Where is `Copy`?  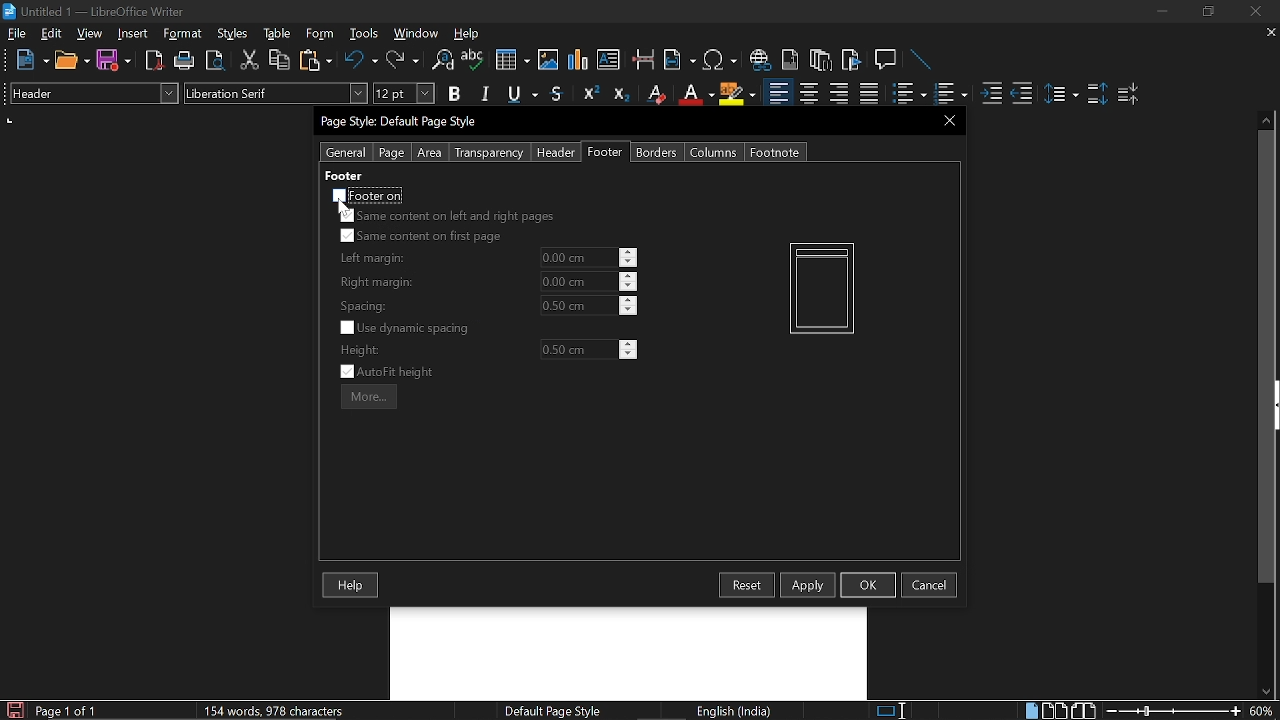
Copy is located at coordinates (278, 60).